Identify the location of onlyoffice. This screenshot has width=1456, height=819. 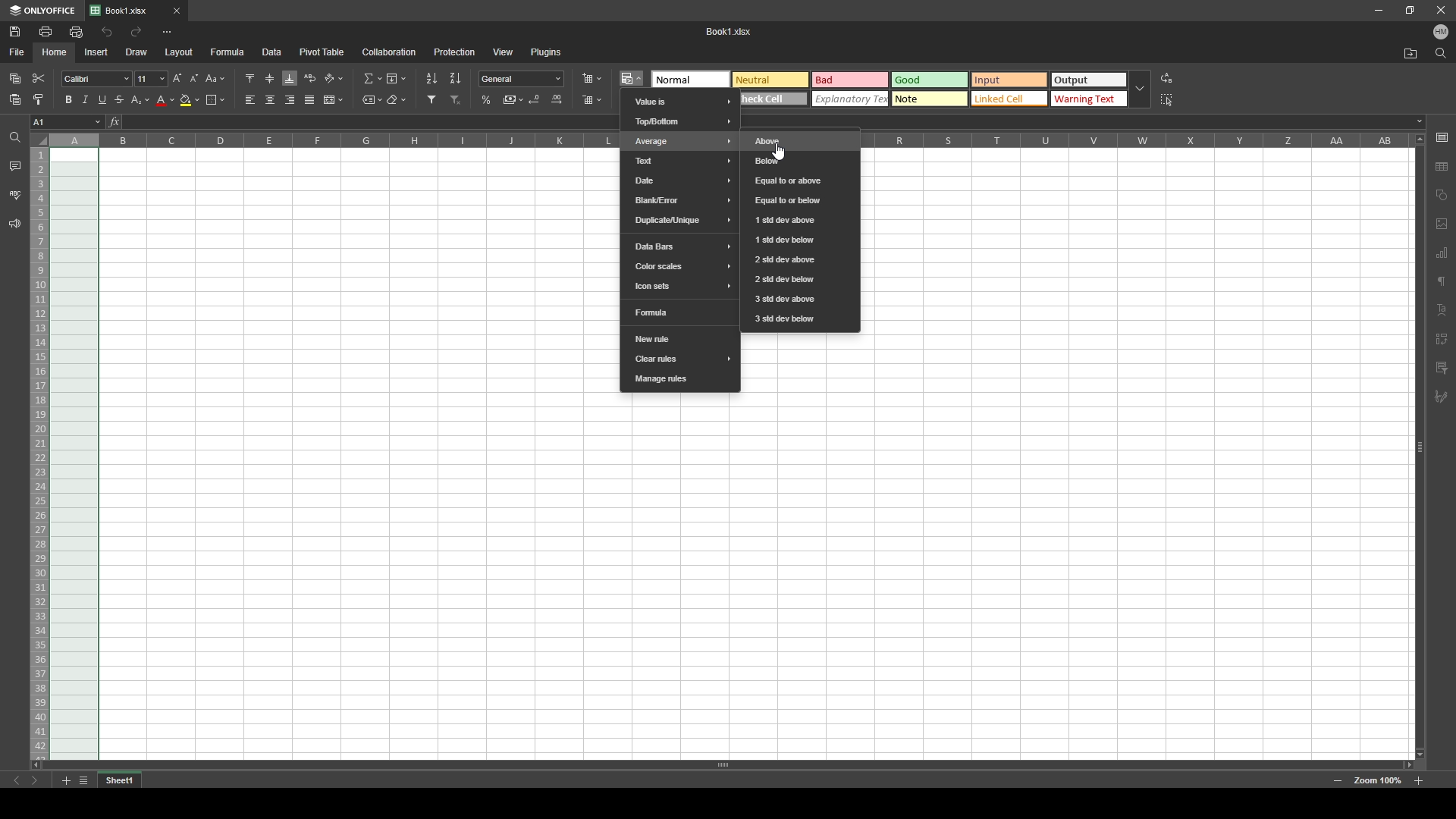
(43, 11).